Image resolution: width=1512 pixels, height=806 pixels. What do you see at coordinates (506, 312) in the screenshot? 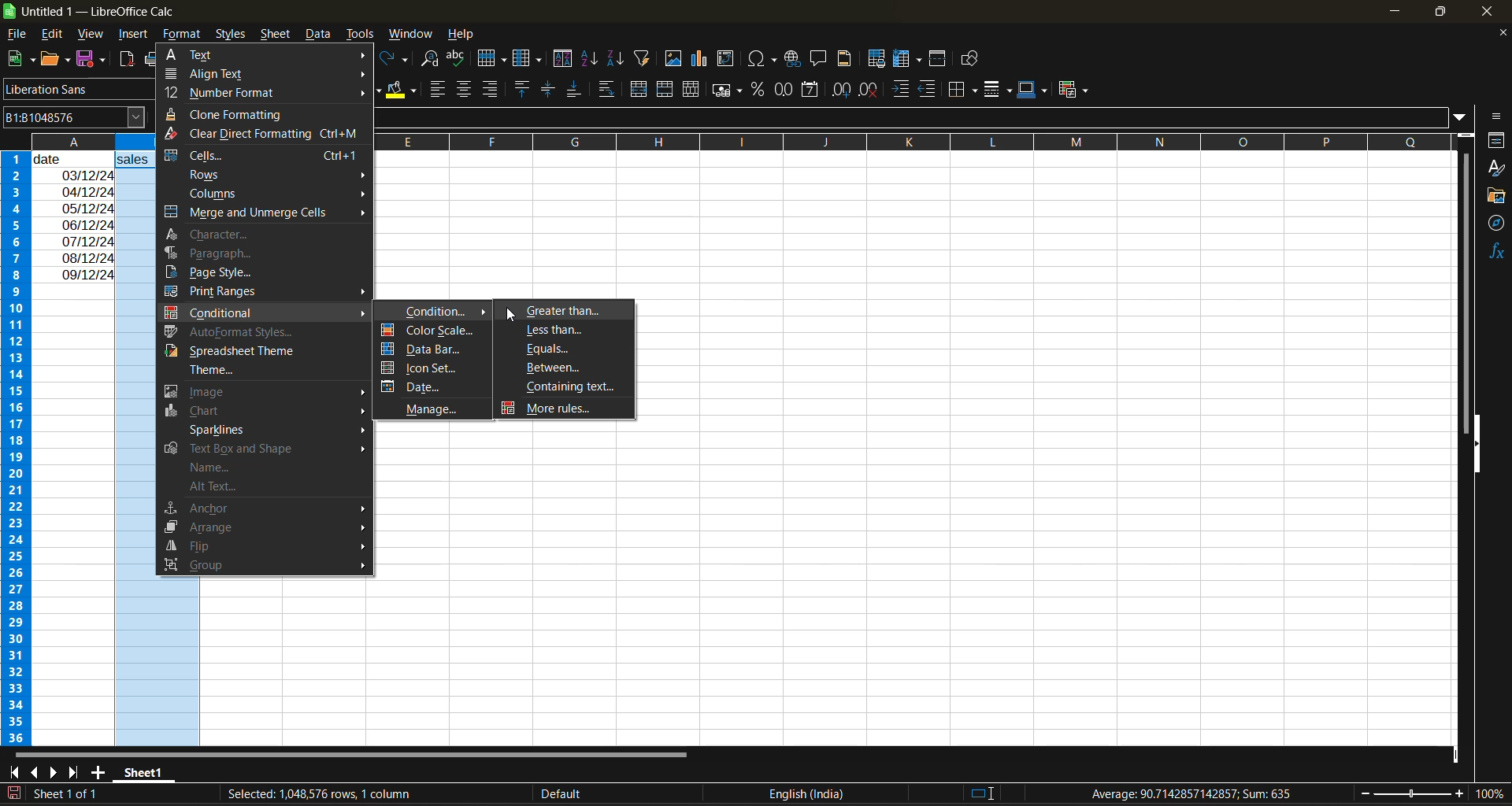
I see `cursor` at bounding box center [506, 312].